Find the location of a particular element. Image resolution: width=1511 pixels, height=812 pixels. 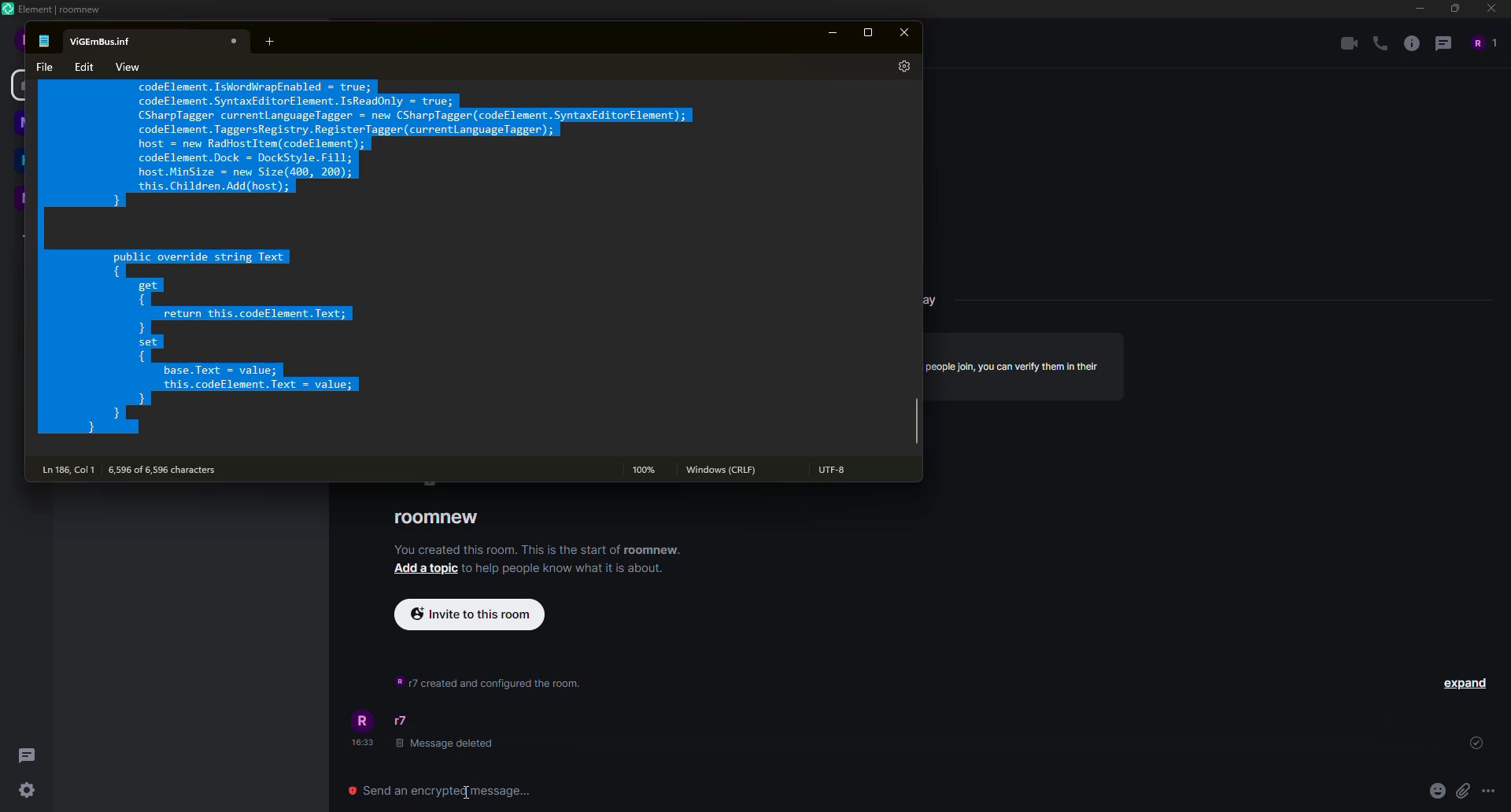

code snippet to copy is located at coordinates (365, 260).